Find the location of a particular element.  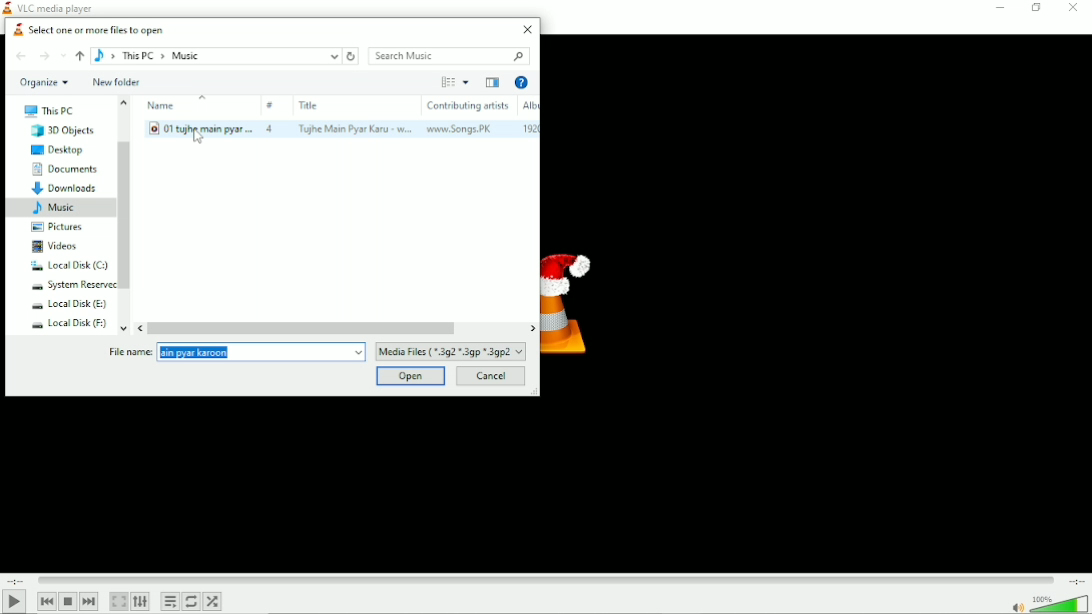

Local Disk (E:) is located at coordinates (66, 305).